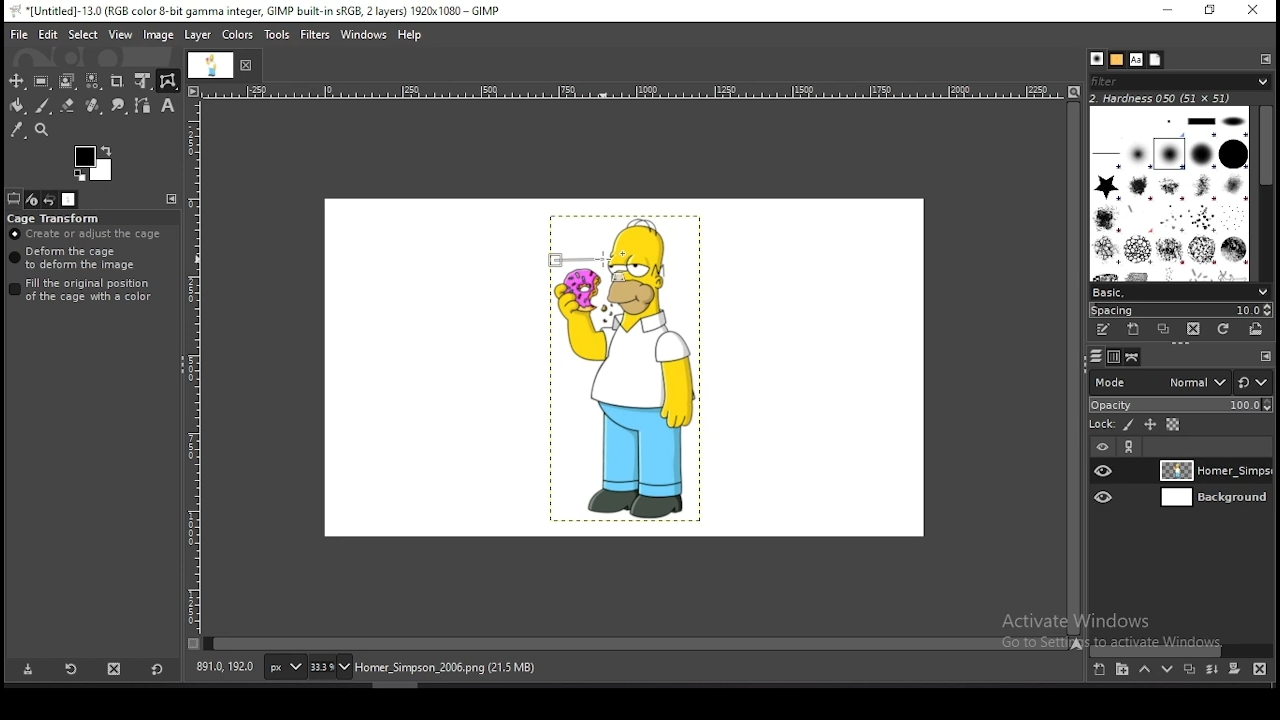 The image size is (1280, 720). I want to click on home_simpsons_2006.png (21.5 mb), so click(444, 669).